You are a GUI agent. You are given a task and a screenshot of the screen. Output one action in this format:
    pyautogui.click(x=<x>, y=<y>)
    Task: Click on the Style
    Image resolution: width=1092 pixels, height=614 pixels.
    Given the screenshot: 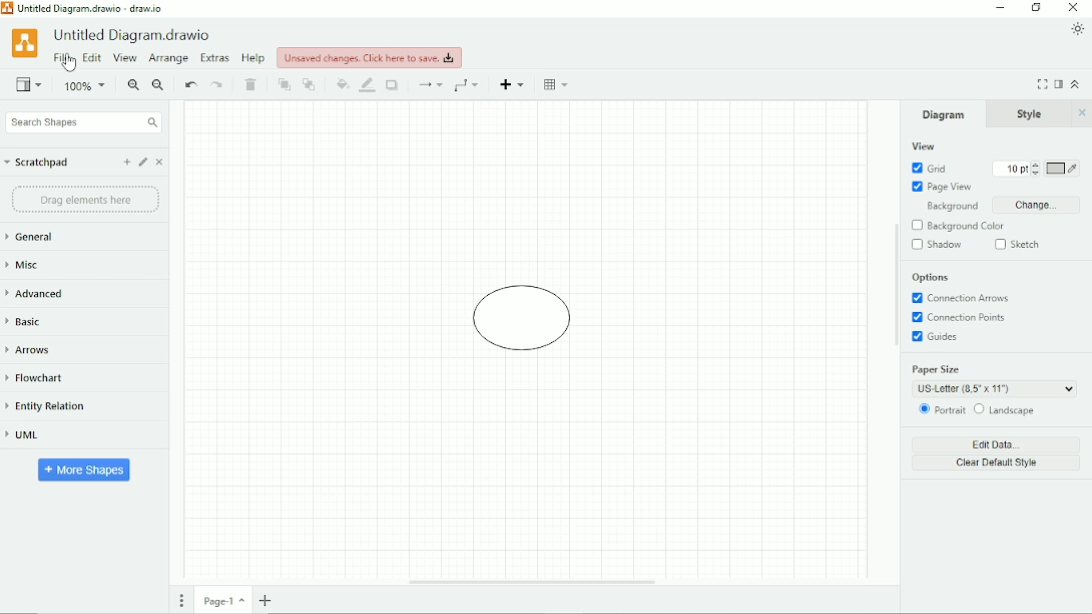 What is the action you would take?
    pyautogui.click(x=1032, y=113)
    